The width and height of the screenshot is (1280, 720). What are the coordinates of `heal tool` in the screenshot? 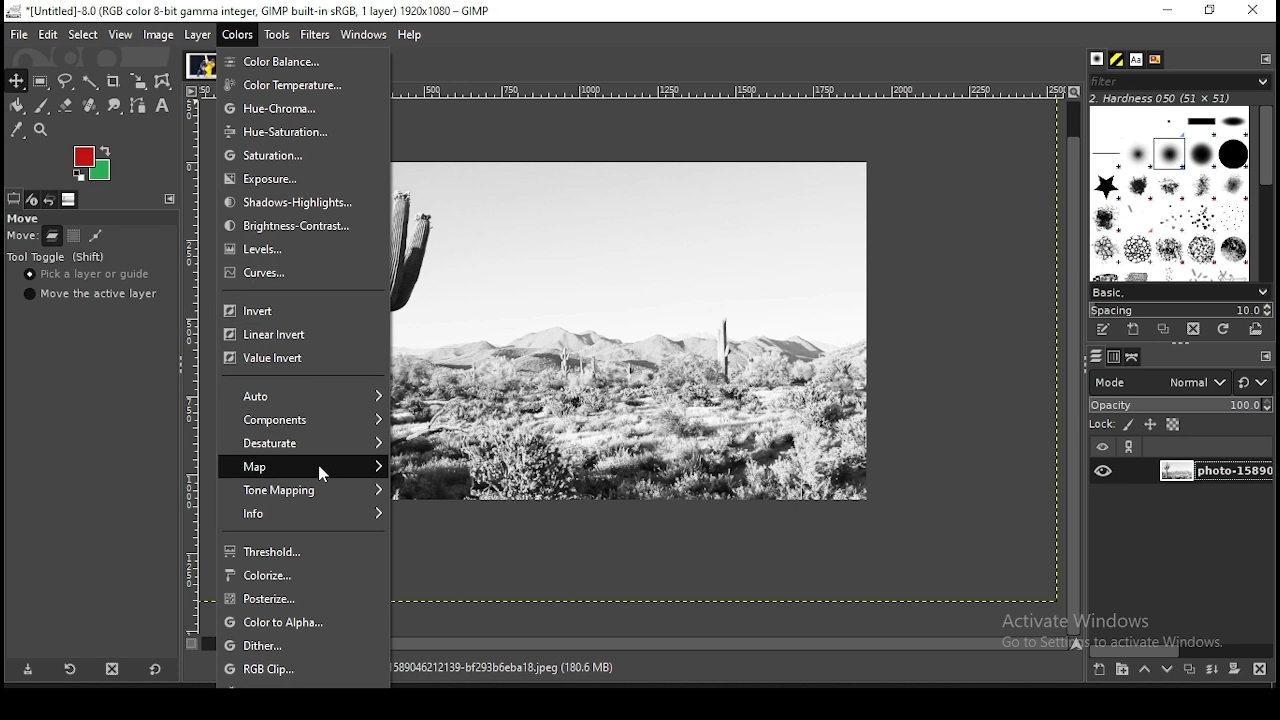 It's located at (93, 105).